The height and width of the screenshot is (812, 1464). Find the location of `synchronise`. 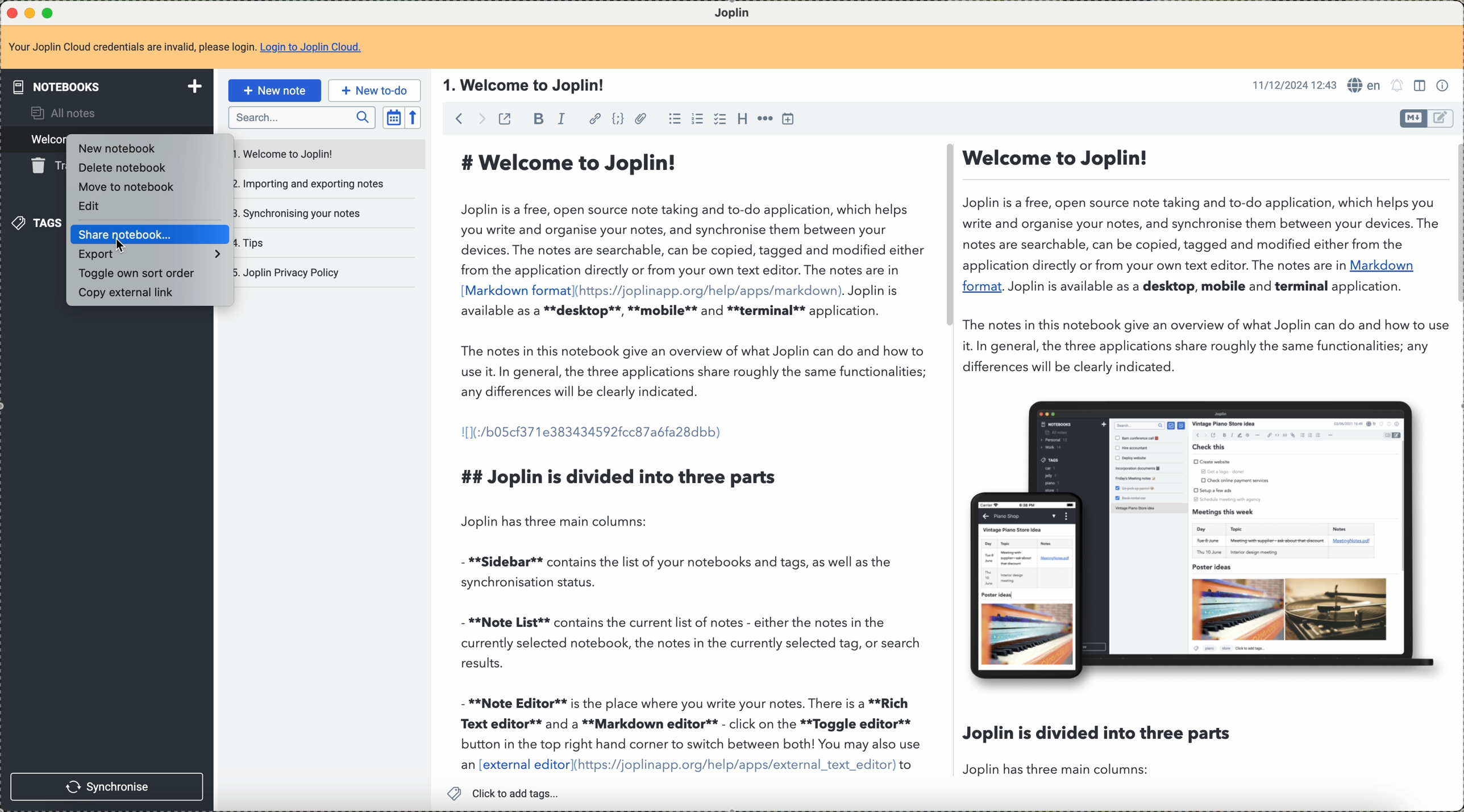

synchronise is located at coordinates (107, 786).